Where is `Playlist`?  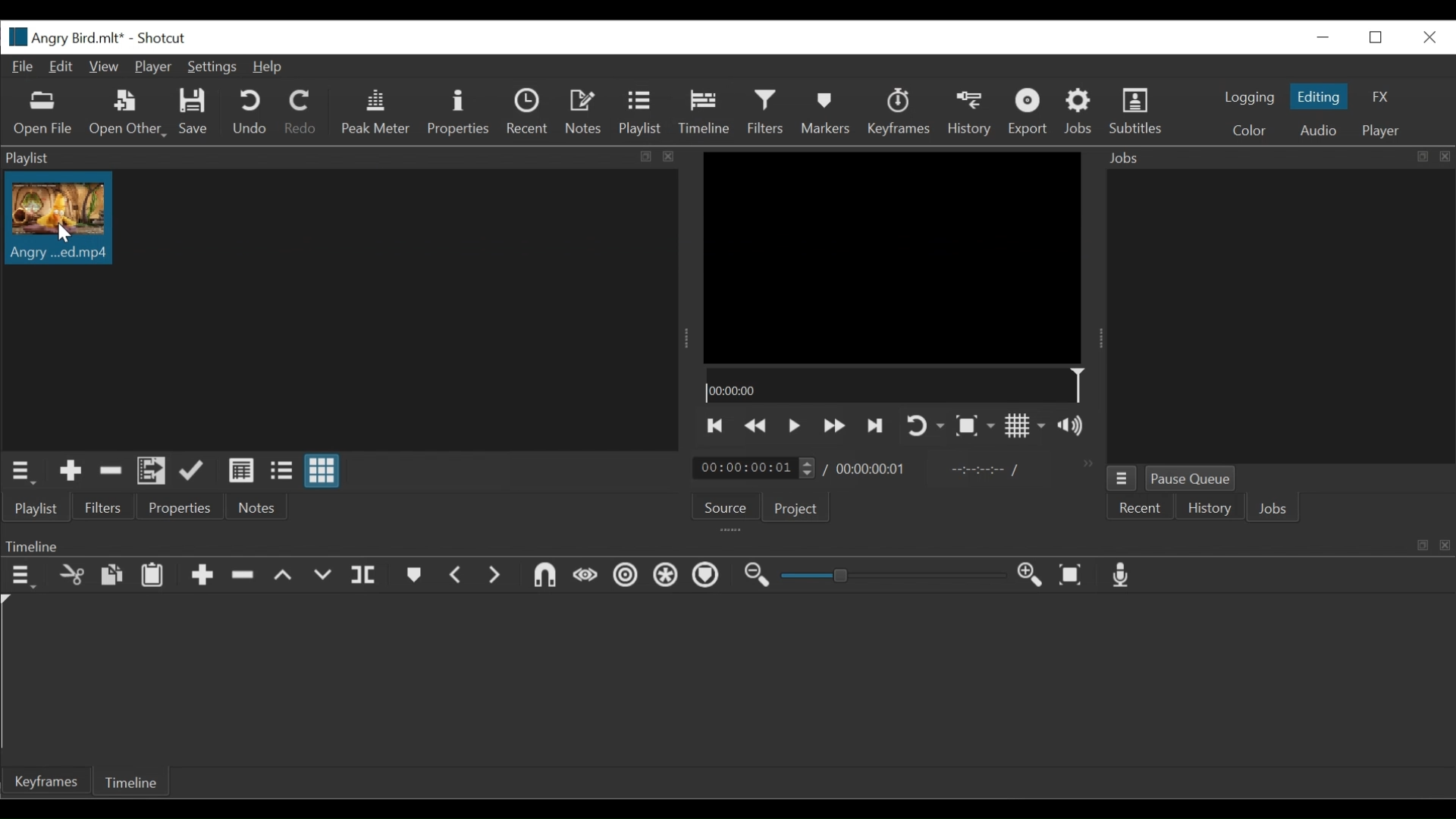 Playlist is located at coordinates (39, 510).